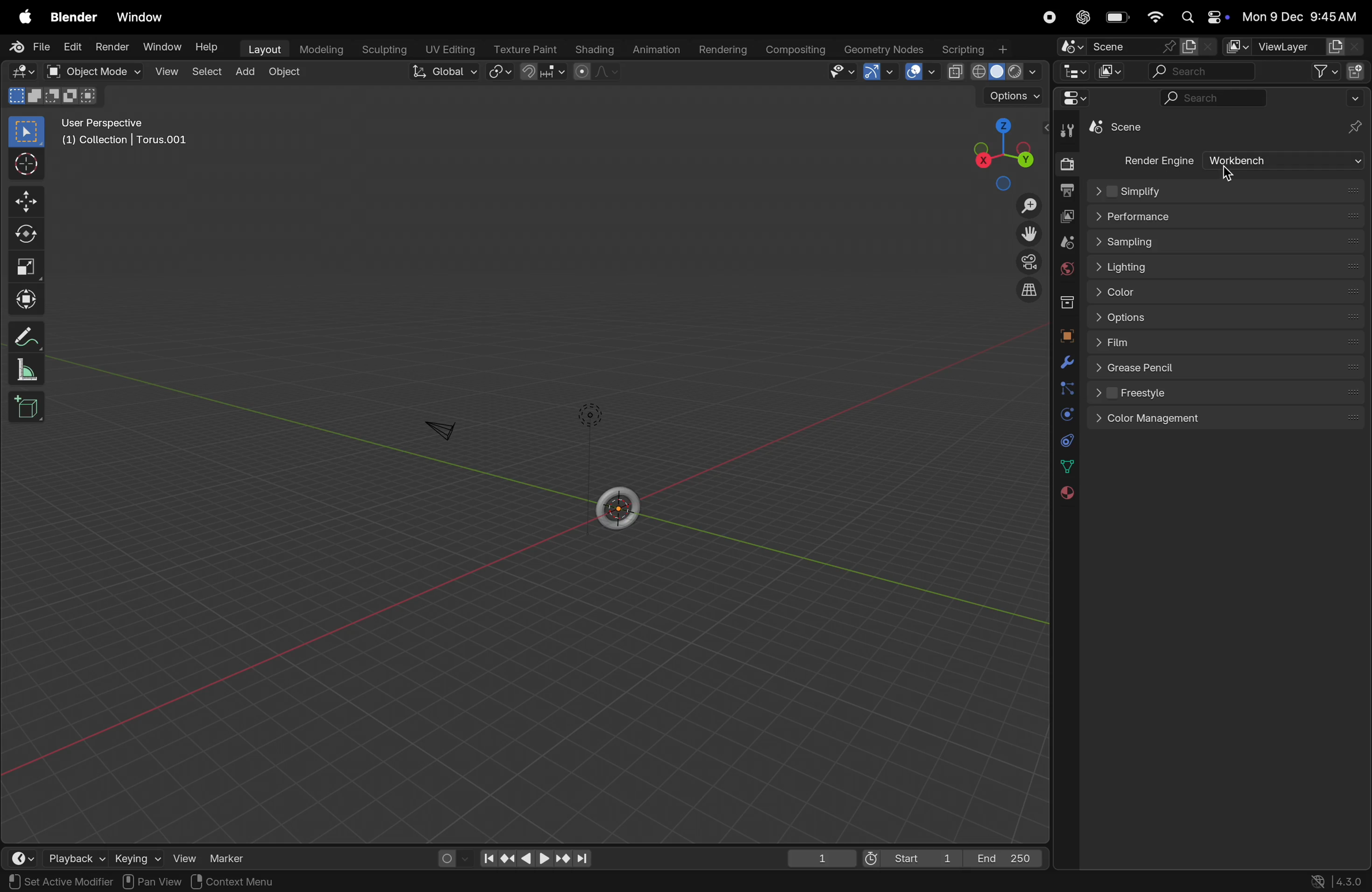 The width and height of the screenshot is (1372, 892). I want to click on tools, so click(1068, 131).